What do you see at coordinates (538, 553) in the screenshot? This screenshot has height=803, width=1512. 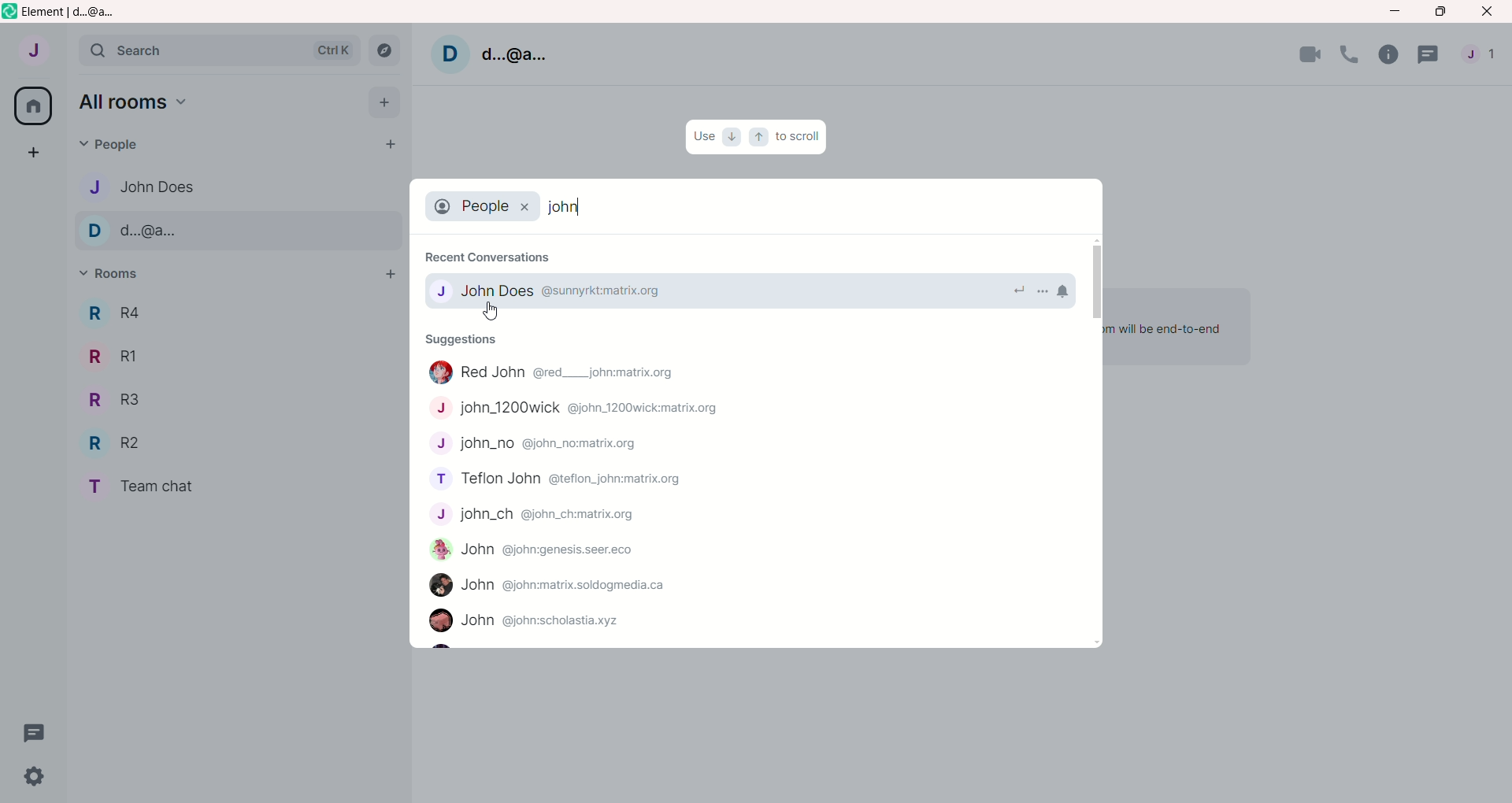 I see `john` at bounding box center [538, 553].